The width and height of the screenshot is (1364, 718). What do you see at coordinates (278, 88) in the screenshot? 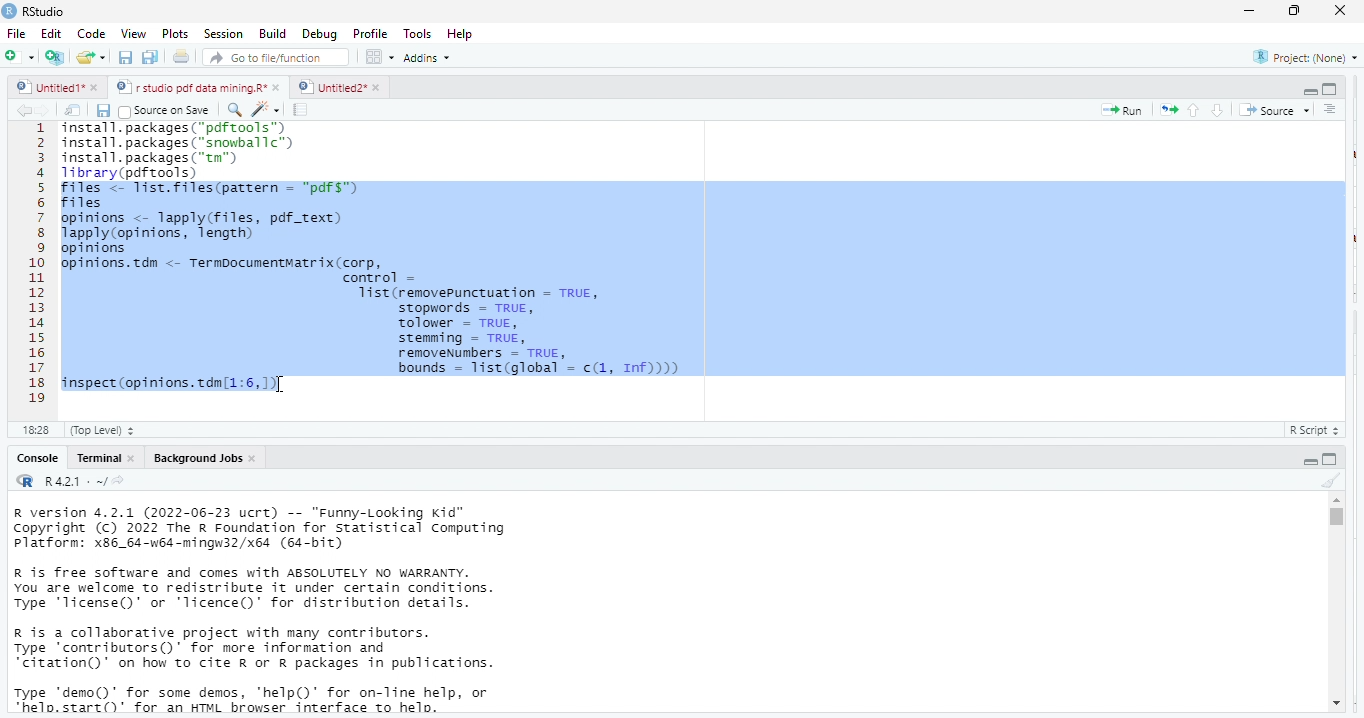
I see `close` at bounding box center [278, 88].